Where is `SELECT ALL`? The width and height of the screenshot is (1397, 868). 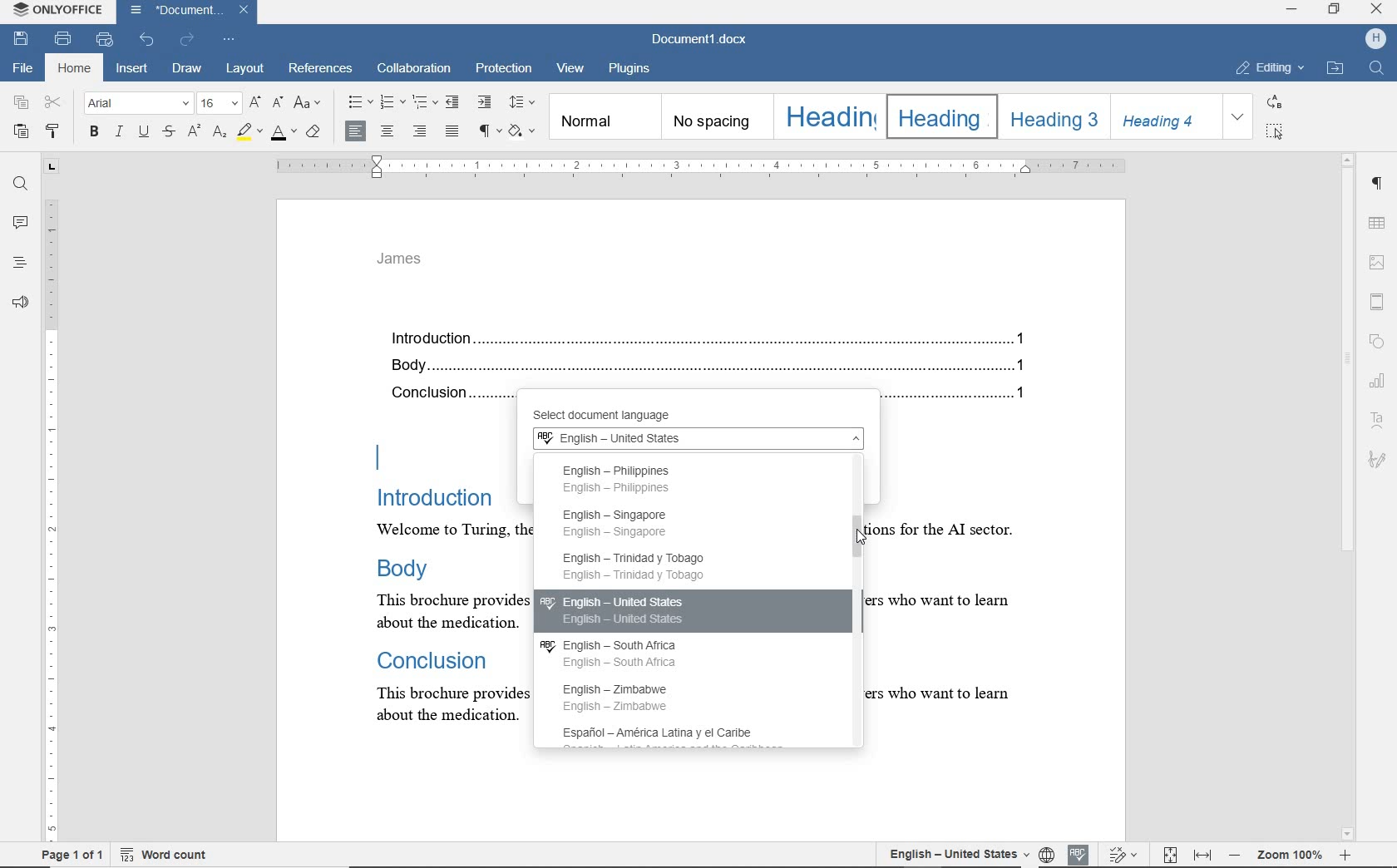
SELECT ALL is located at coordinates (1276, 131).